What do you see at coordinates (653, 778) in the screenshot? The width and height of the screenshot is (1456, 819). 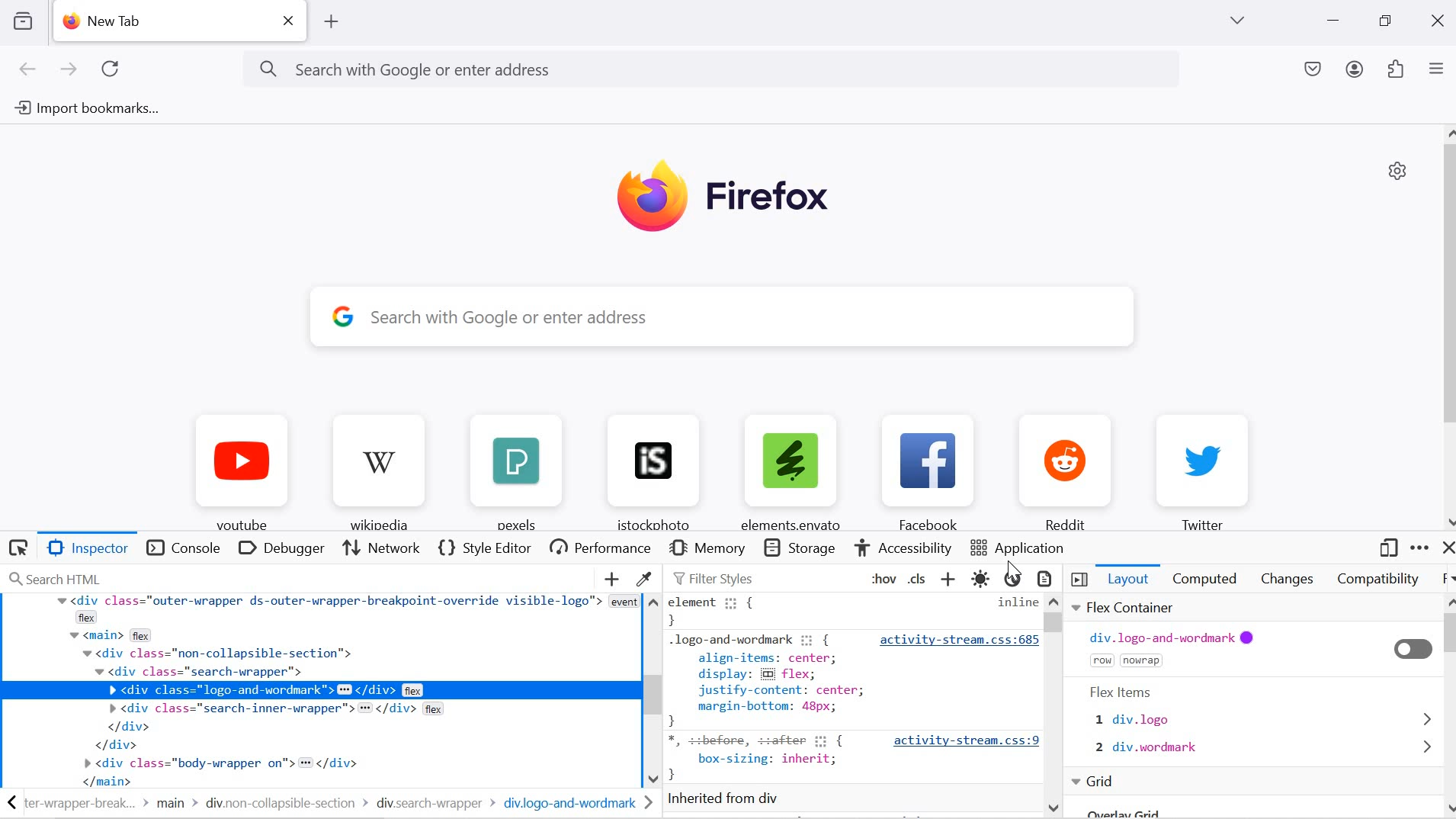 I see `move down` at bounding box center [653, 778].